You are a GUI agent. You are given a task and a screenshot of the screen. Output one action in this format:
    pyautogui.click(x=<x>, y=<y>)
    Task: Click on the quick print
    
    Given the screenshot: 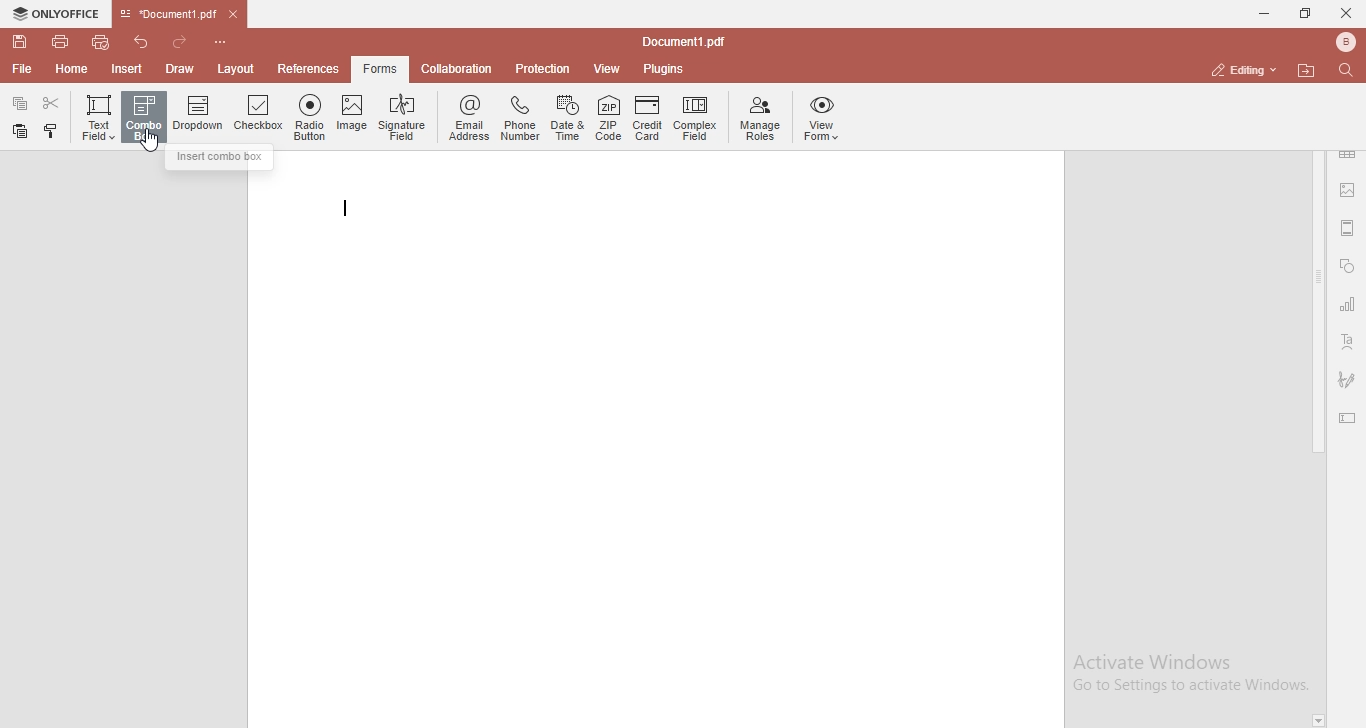 What is the action you would take?
    pyautogui.click(x=102, y=41)
    